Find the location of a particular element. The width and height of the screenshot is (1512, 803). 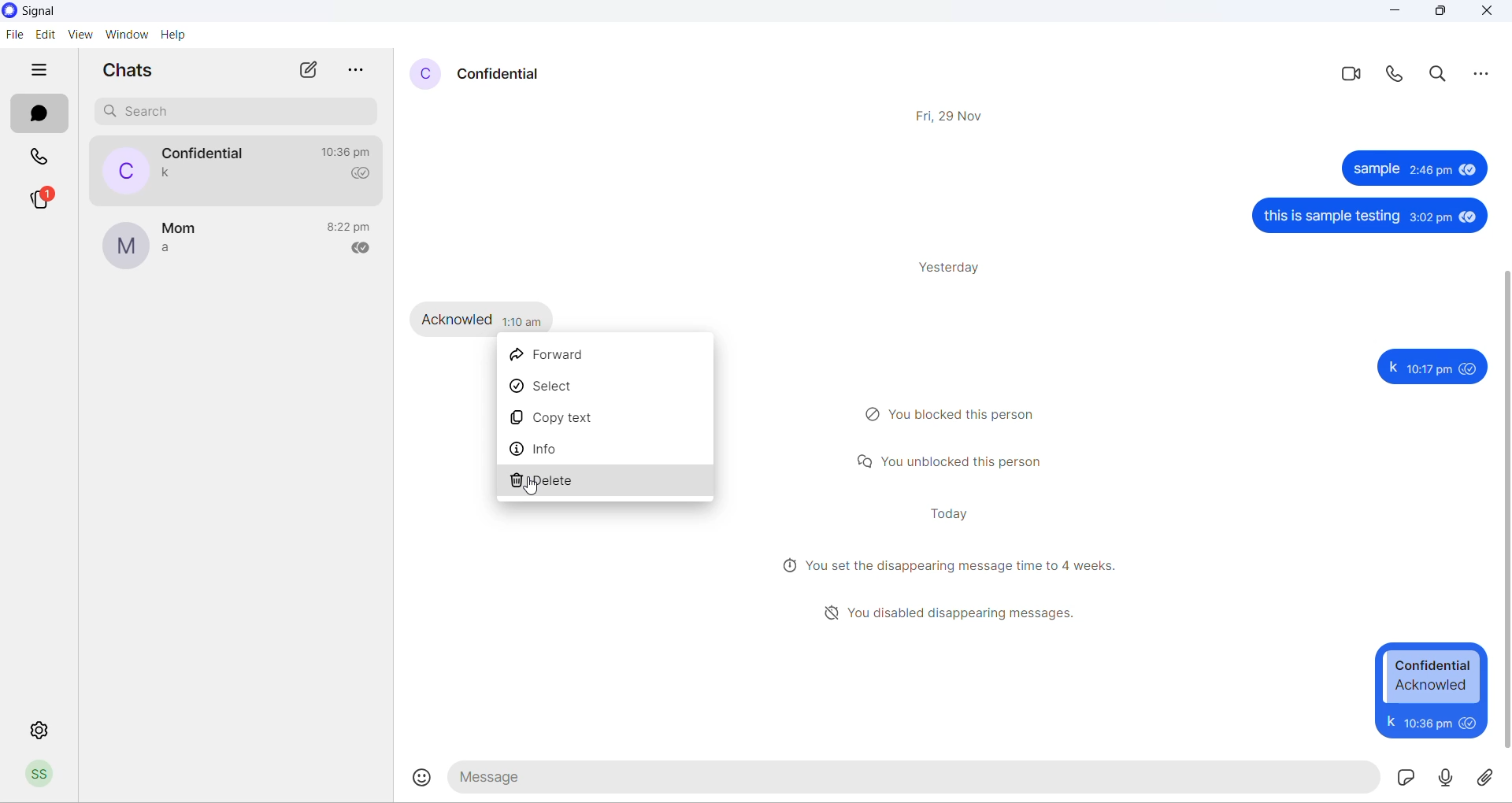

edit is located at coordinates (46, 35).